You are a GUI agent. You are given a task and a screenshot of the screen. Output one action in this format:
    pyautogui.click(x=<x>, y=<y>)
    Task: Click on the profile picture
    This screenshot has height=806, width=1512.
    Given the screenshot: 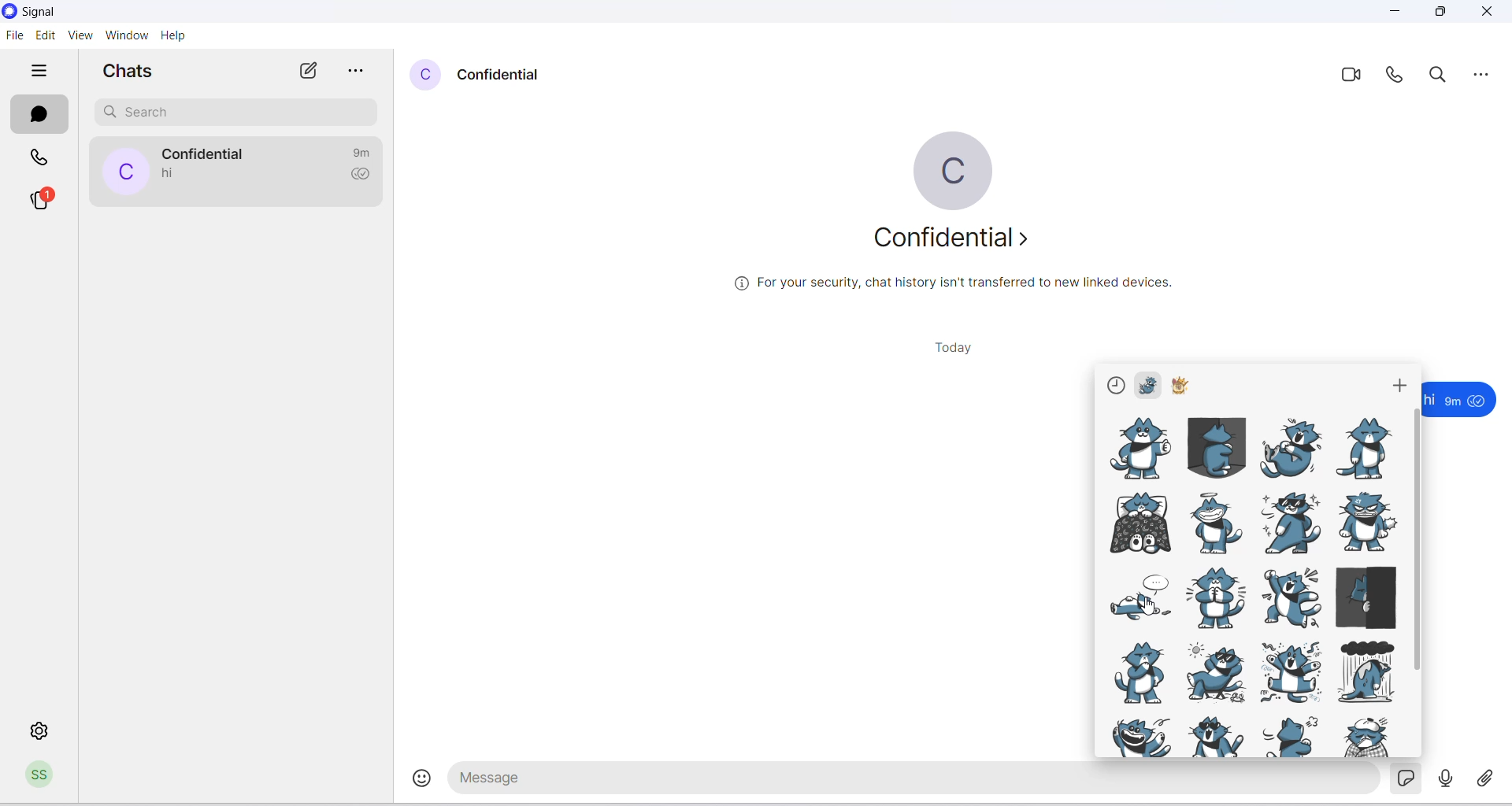 What is the action you would take?
    pyautogui.click(x=124, y=172)
    